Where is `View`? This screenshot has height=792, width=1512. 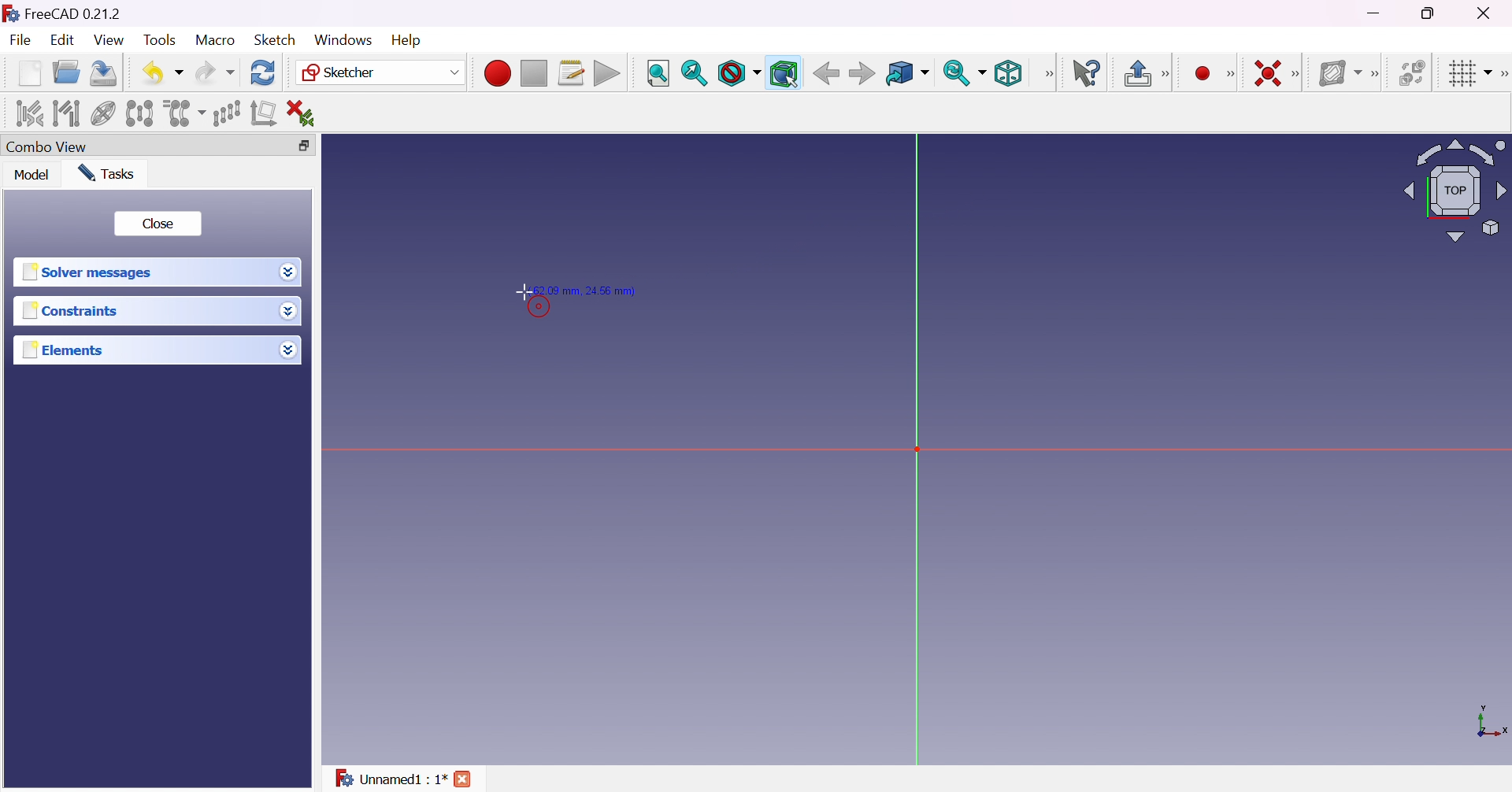
View is located at coordinates (1050, 73).